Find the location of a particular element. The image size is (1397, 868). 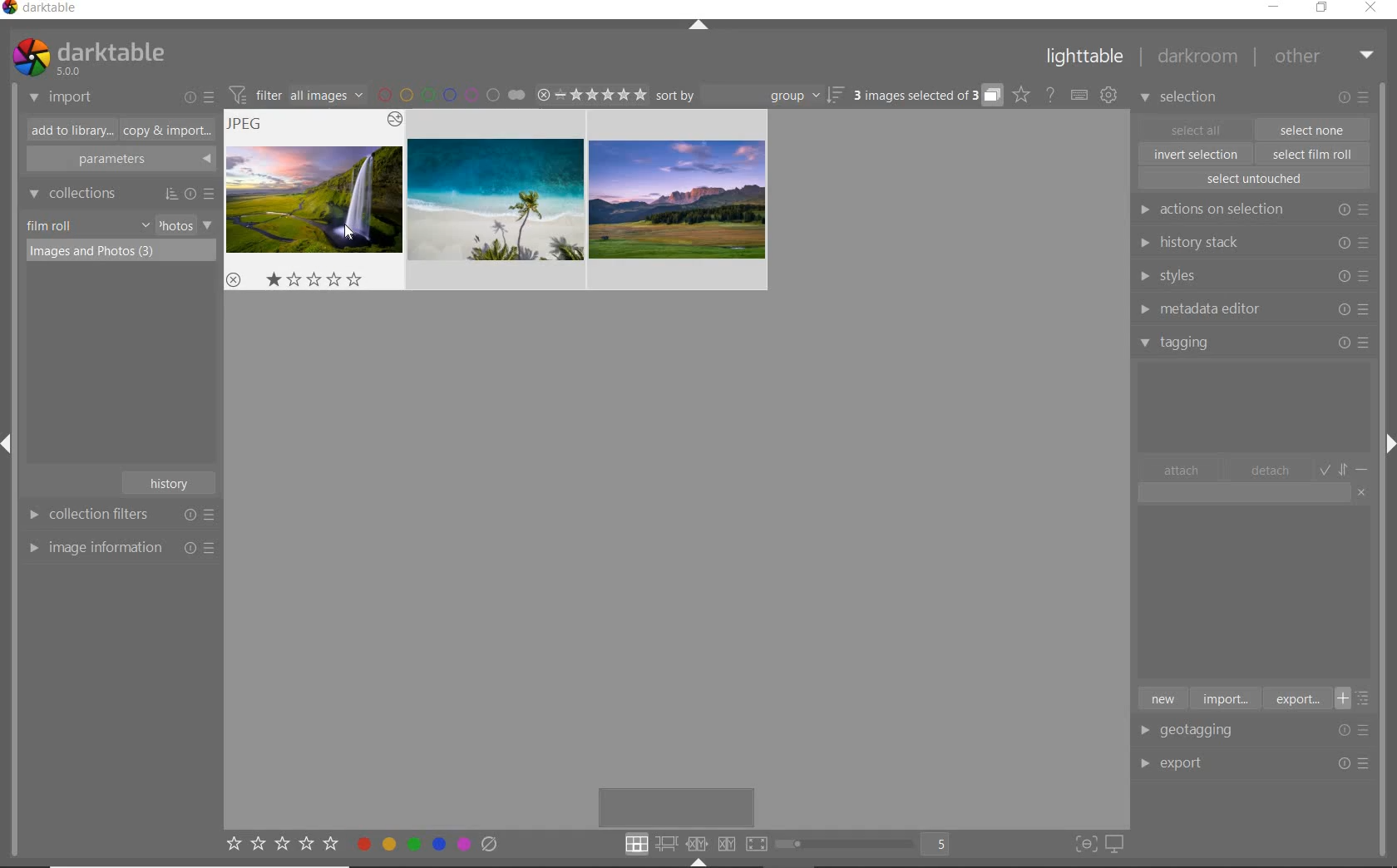

new is located at coordinates (1162, 698).